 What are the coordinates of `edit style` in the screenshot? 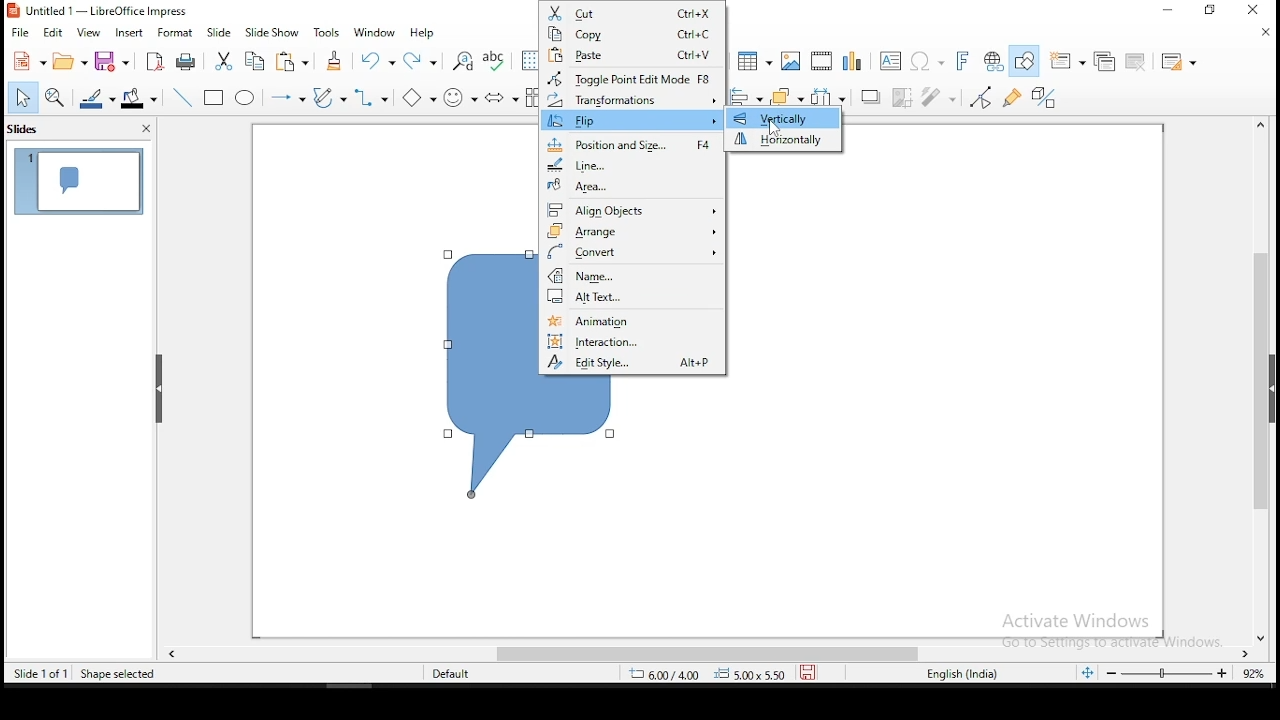 It's located at (633, 363).